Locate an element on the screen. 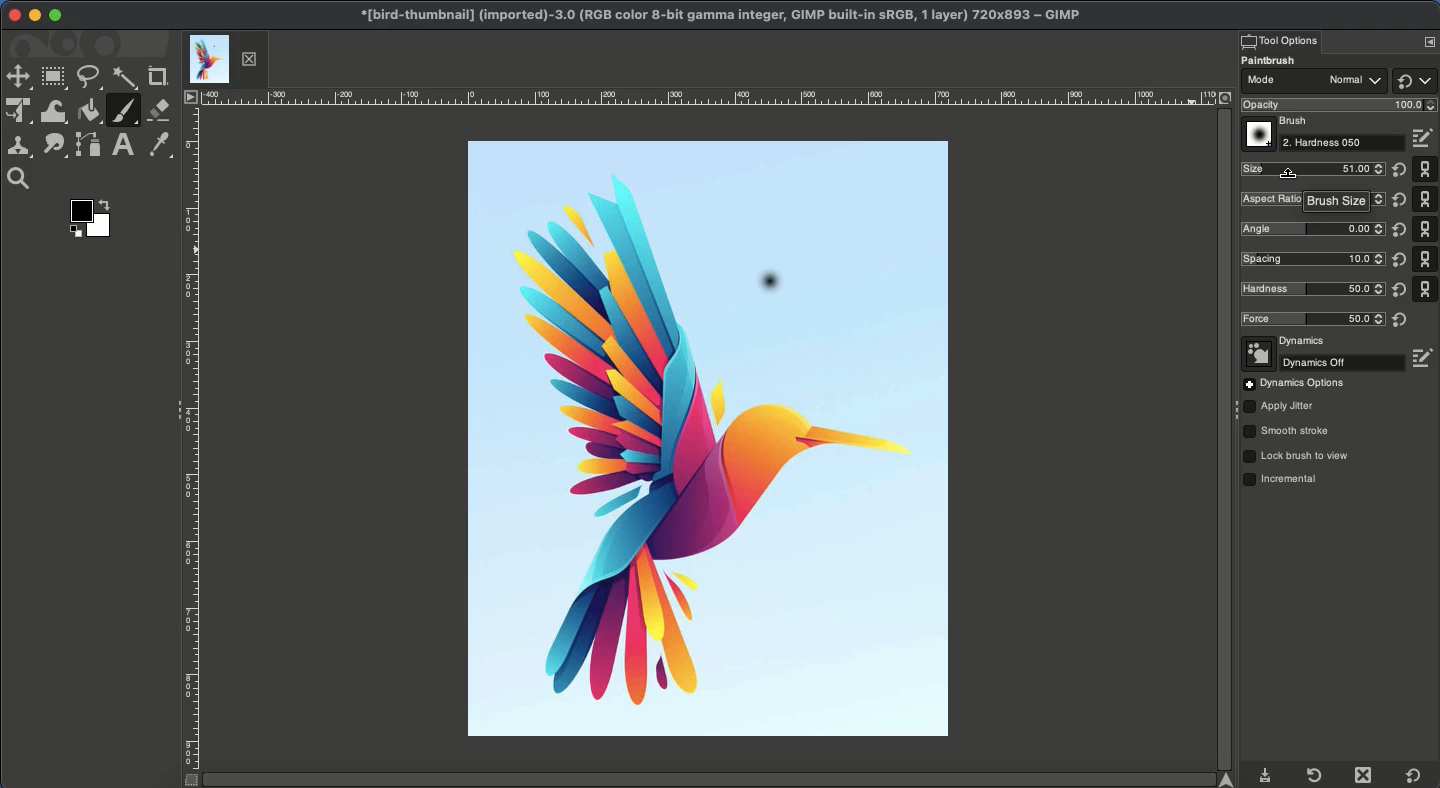 The width and height of the screenshot is (1440, 788). image is located at coordinates (875, 286).